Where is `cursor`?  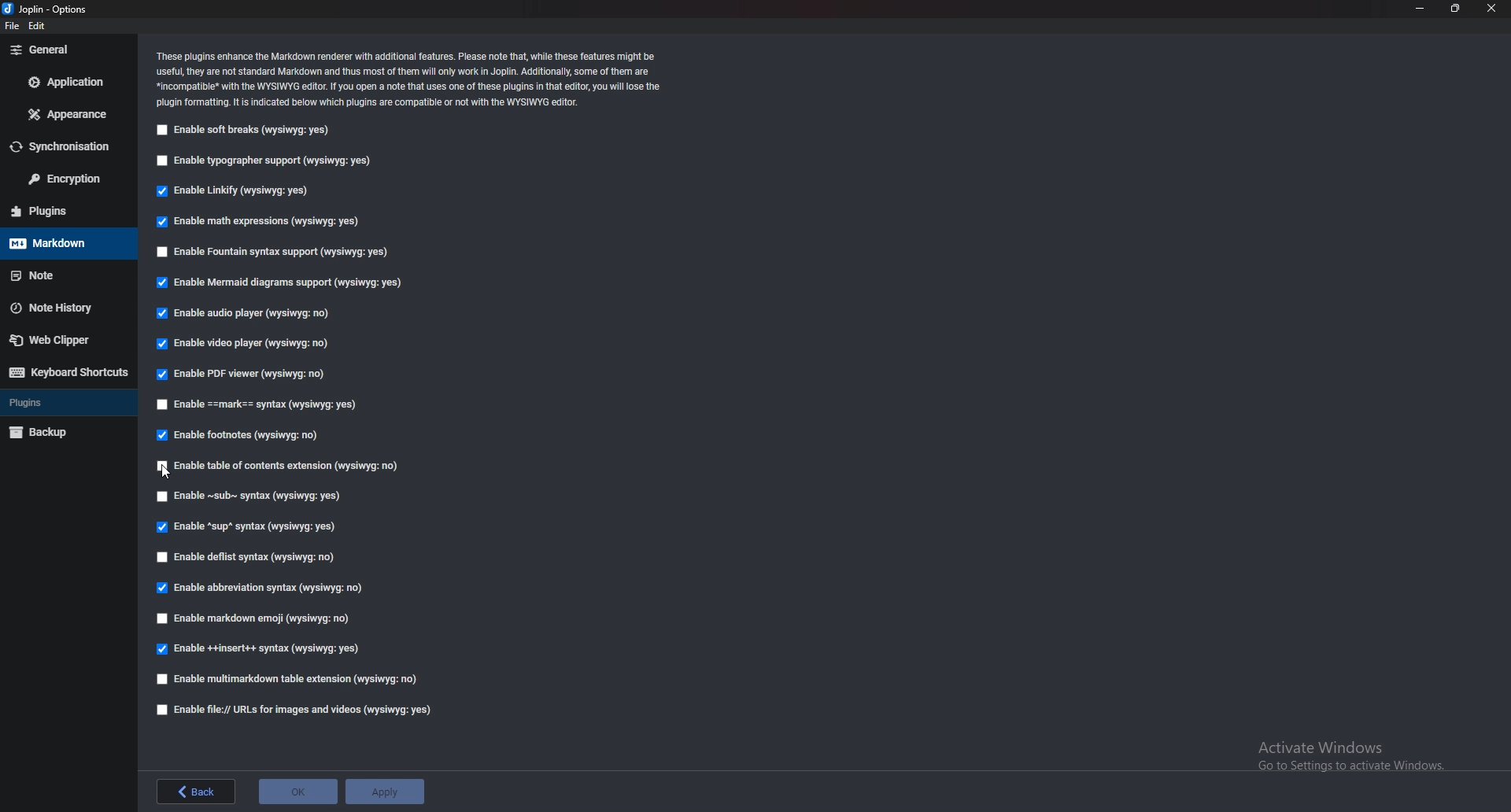
cursor is located at coordinates (168, 470).